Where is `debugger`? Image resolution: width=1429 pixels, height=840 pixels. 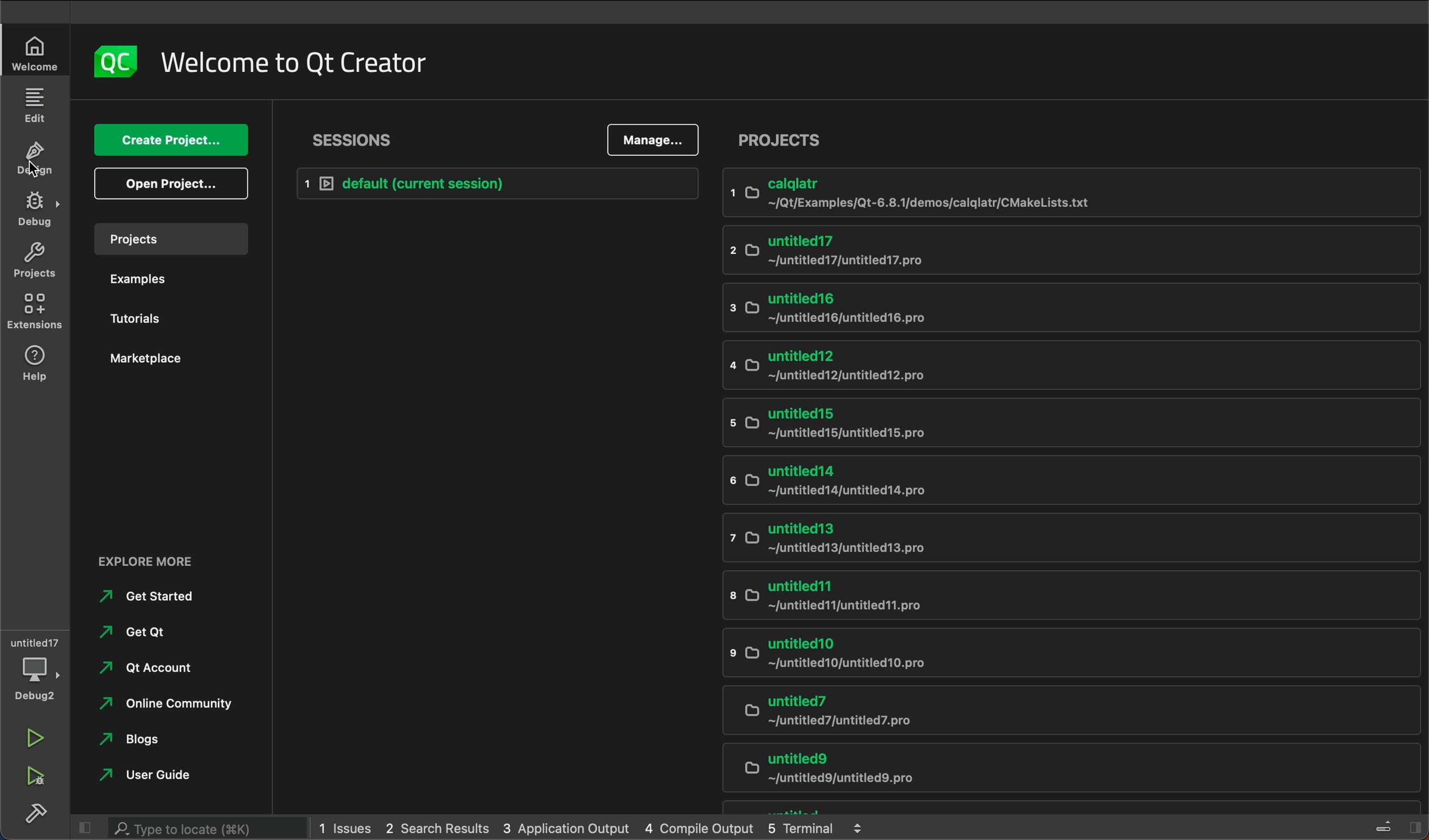
debugger is located at coordinates (38, 668).